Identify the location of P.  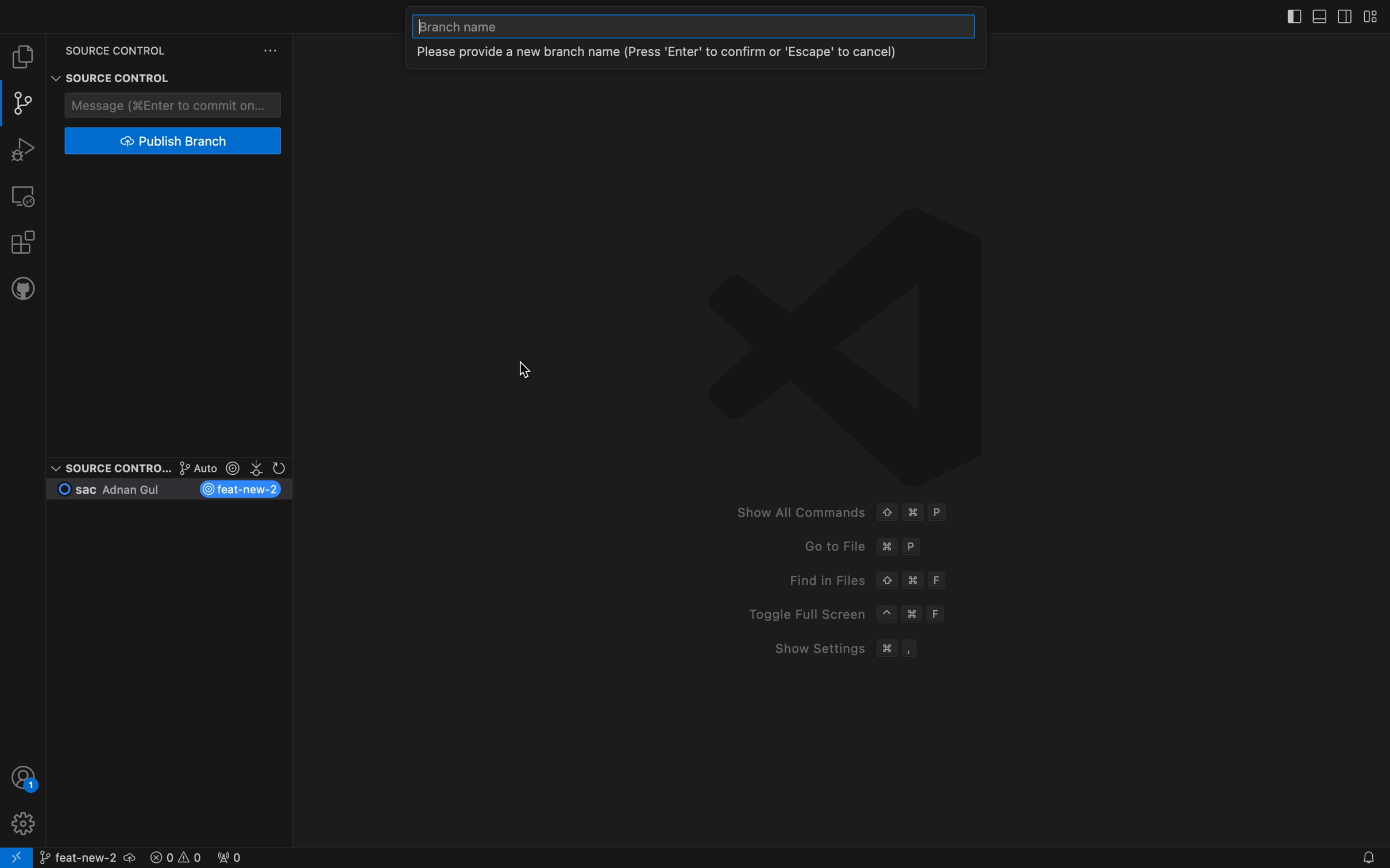
(940, 513).